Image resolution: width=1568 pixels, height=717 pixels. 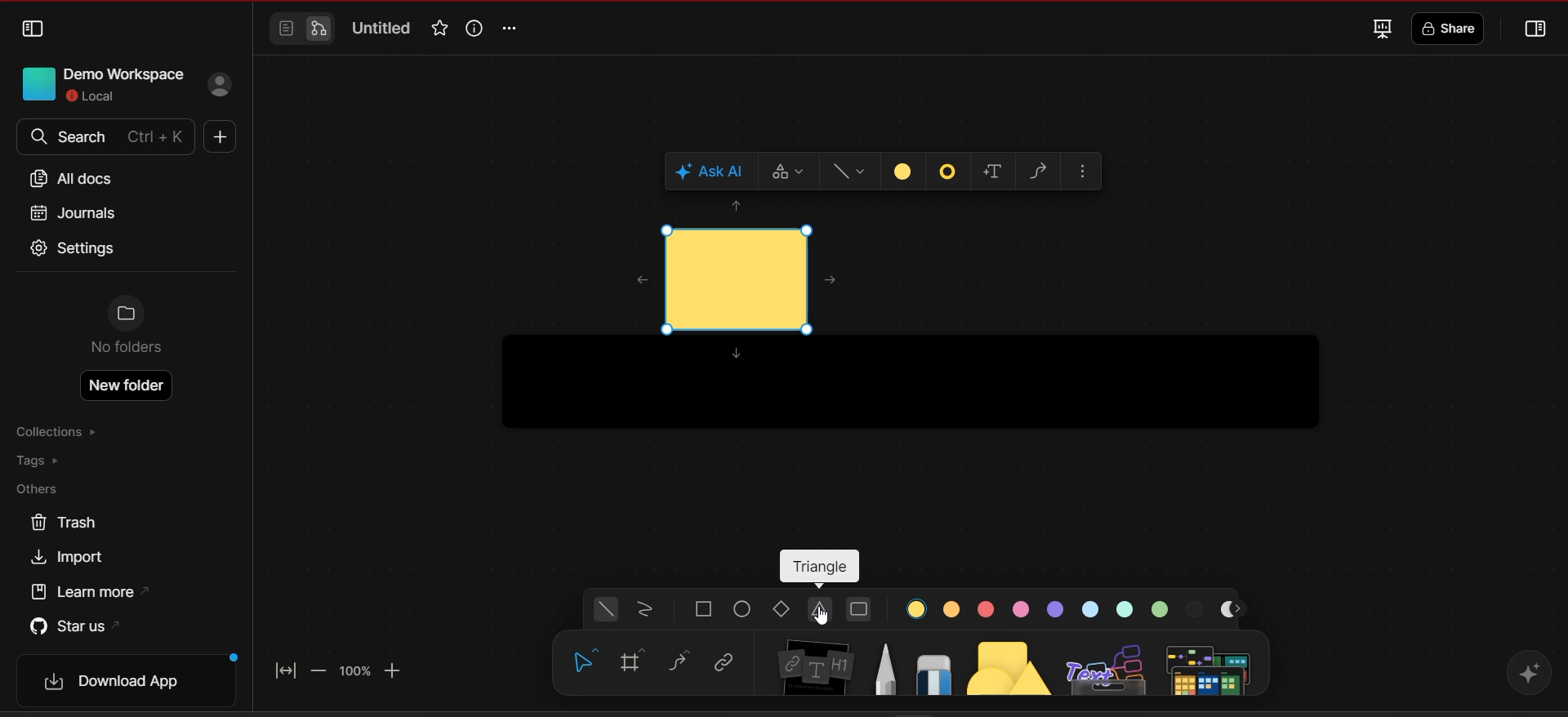 I want to click on color 6, so click(x=1094, y=608).